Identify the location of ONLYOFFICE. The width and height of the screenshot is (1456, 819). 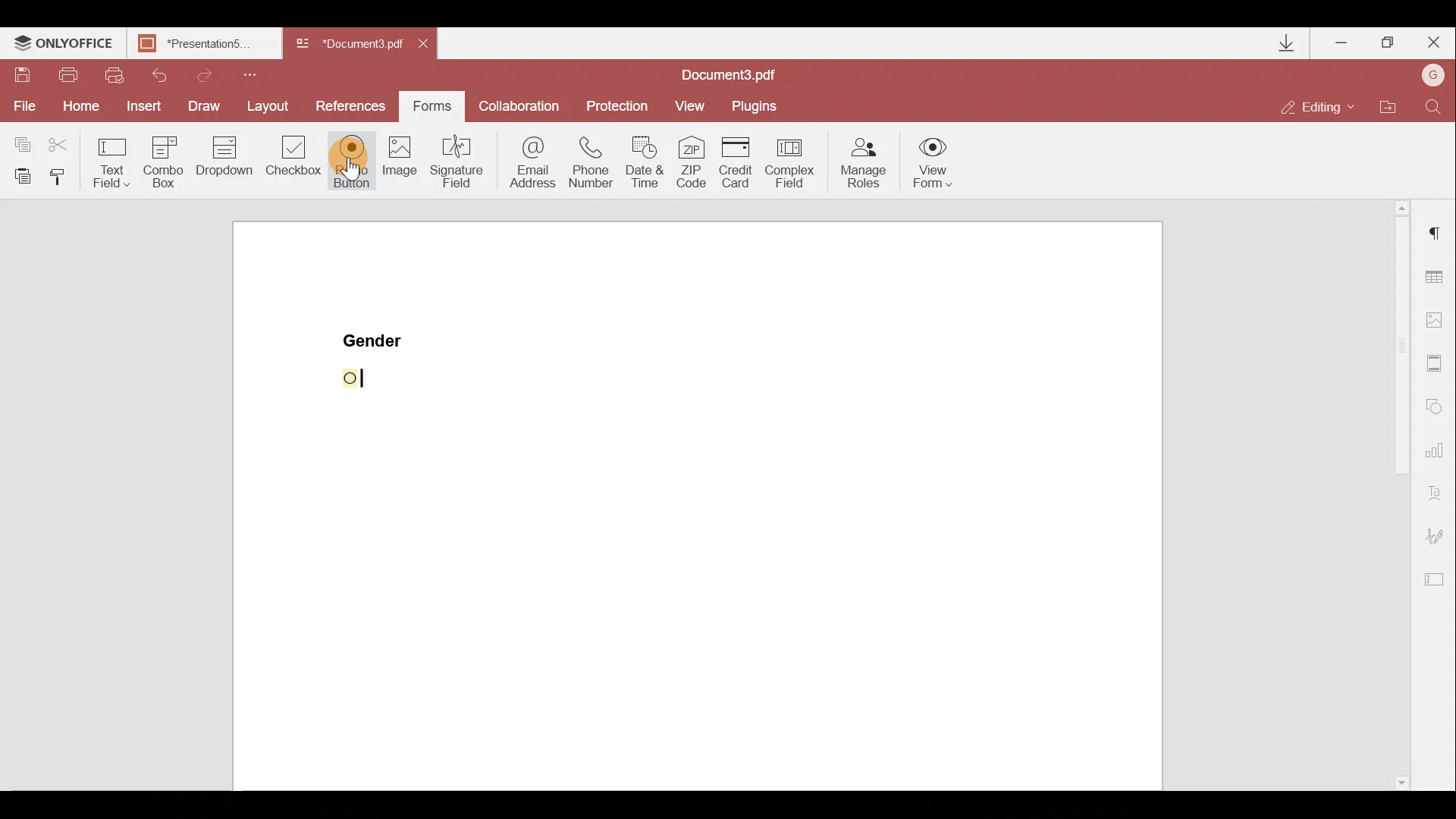
(63, 45).